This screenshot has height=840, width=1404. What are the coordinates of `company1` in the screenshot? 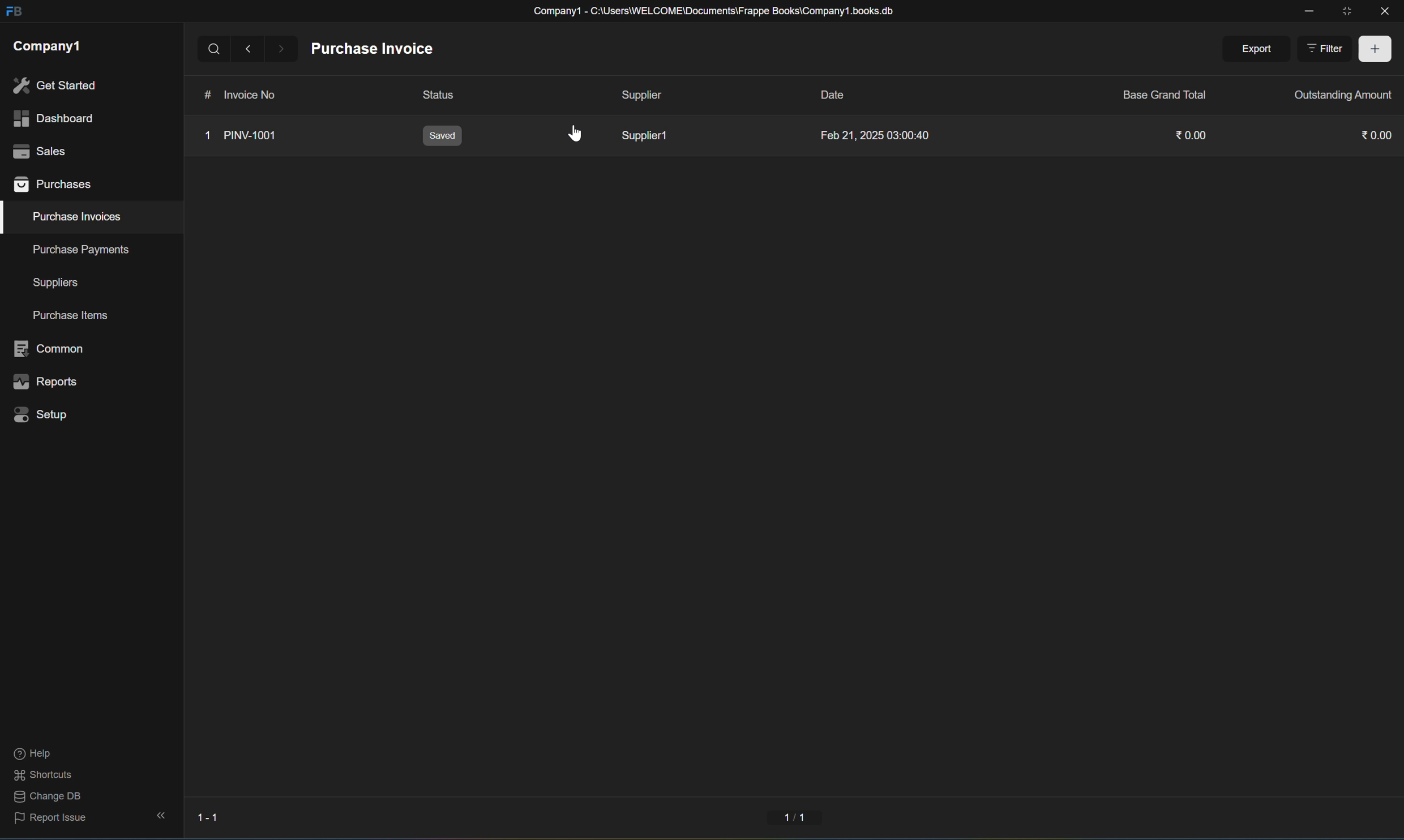 It's located at (47, 45).